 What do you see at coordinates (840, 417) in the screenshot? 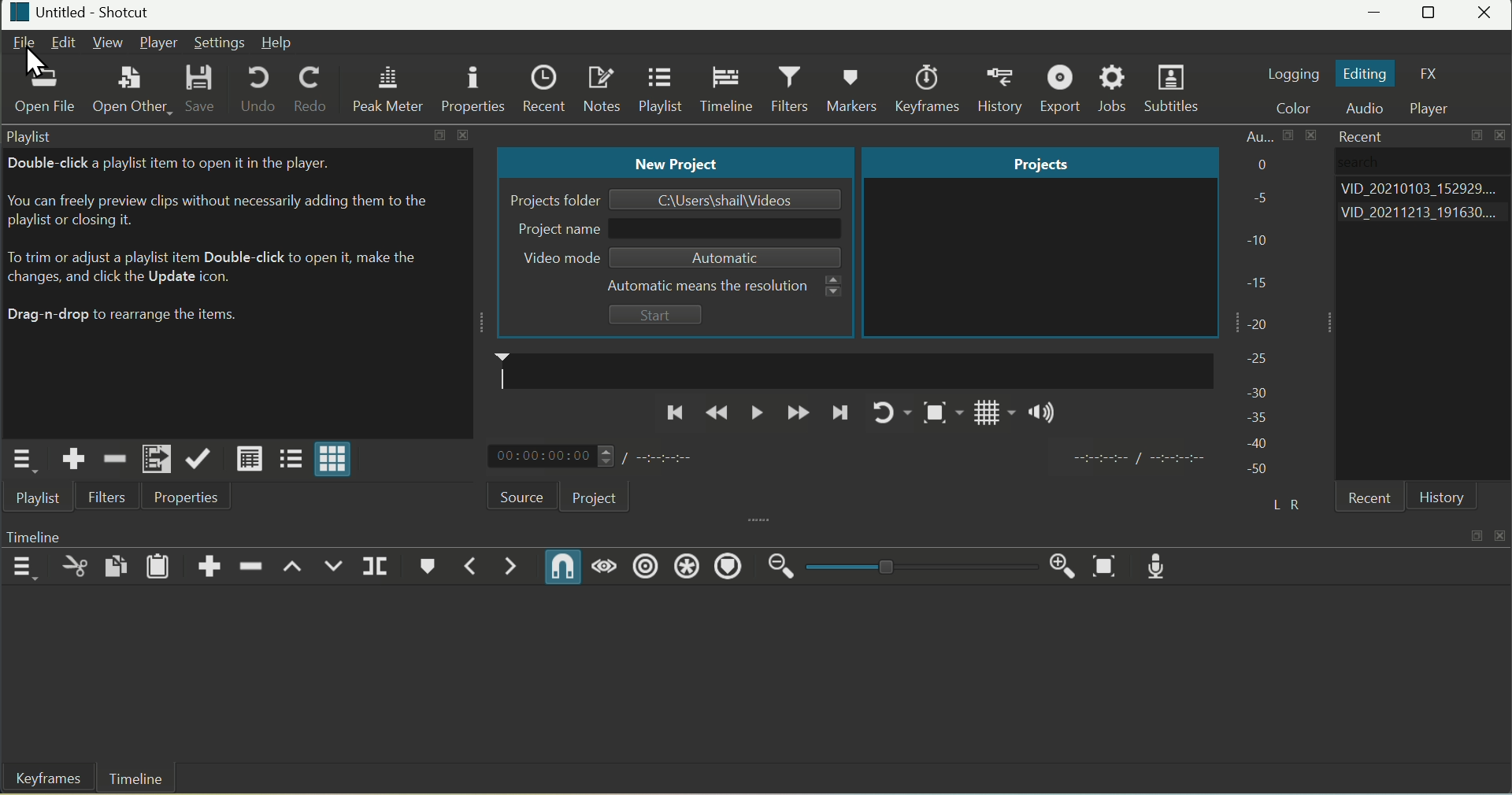
I see `Next` at bounding box center [840, 417].